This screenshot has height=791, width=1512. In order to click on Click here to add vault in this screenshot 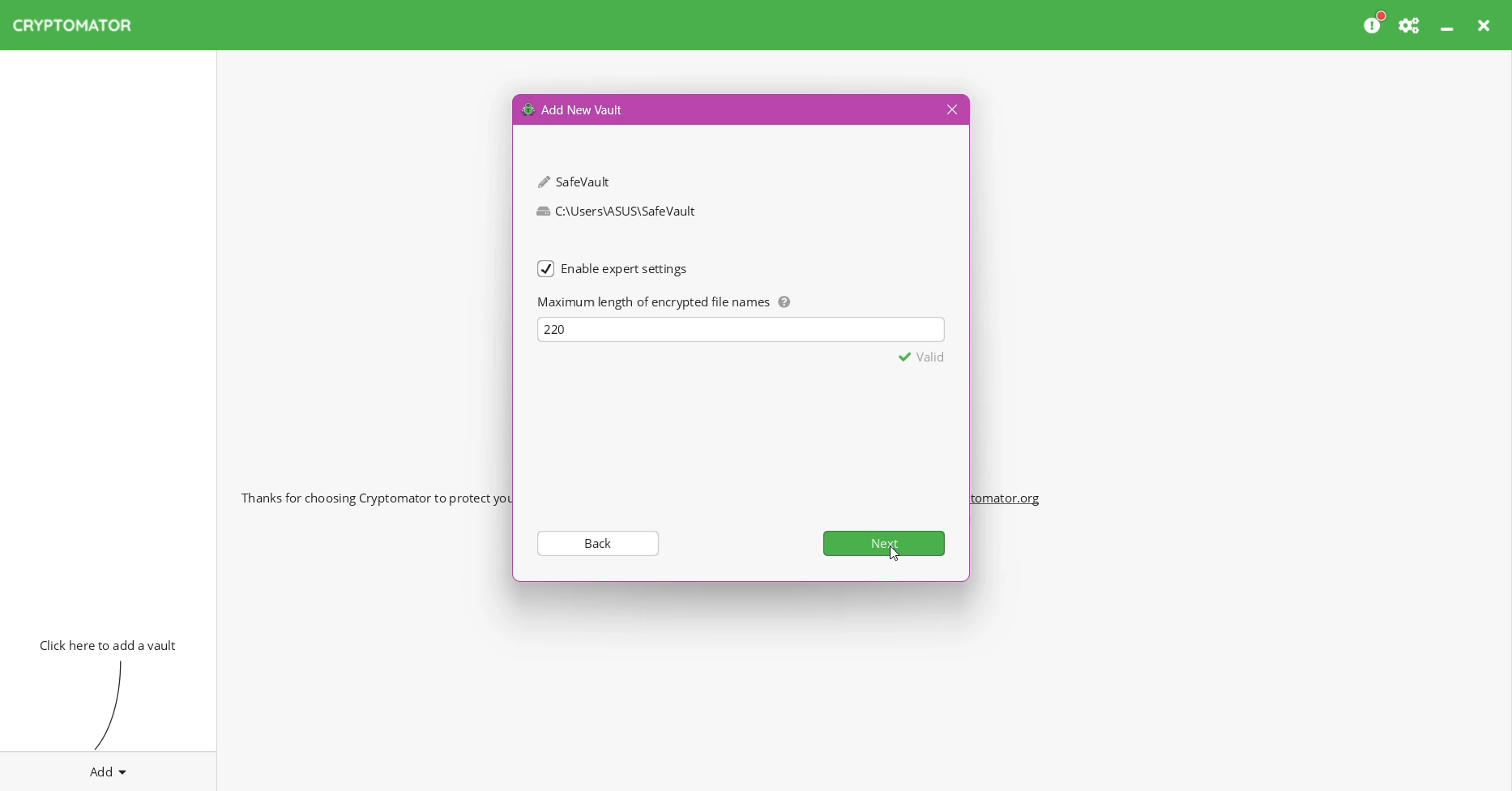, I will do `click(105, 643)`.